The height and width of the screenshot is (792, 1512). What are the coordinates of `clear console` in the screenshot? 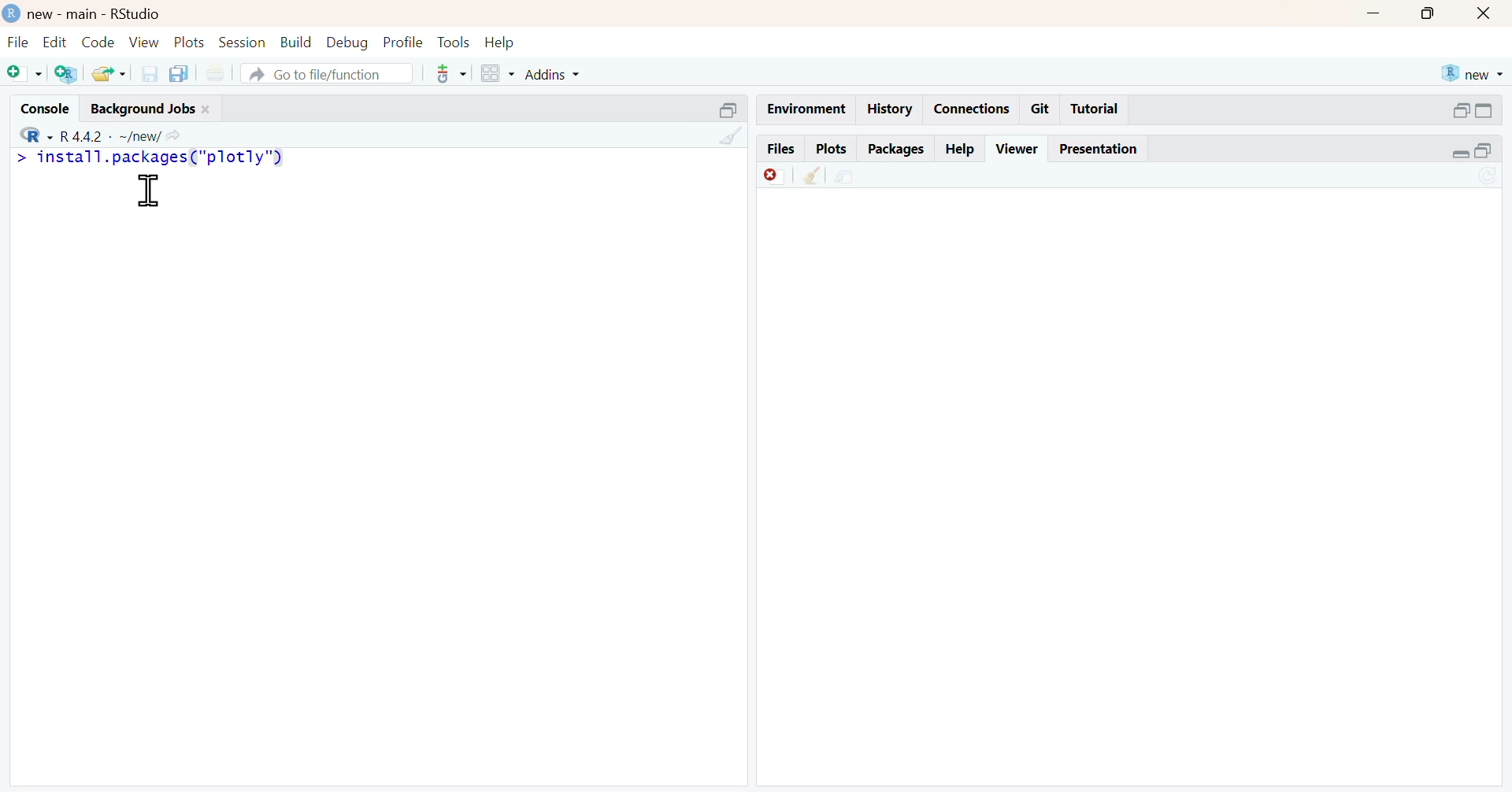 It's located at (730, 135).